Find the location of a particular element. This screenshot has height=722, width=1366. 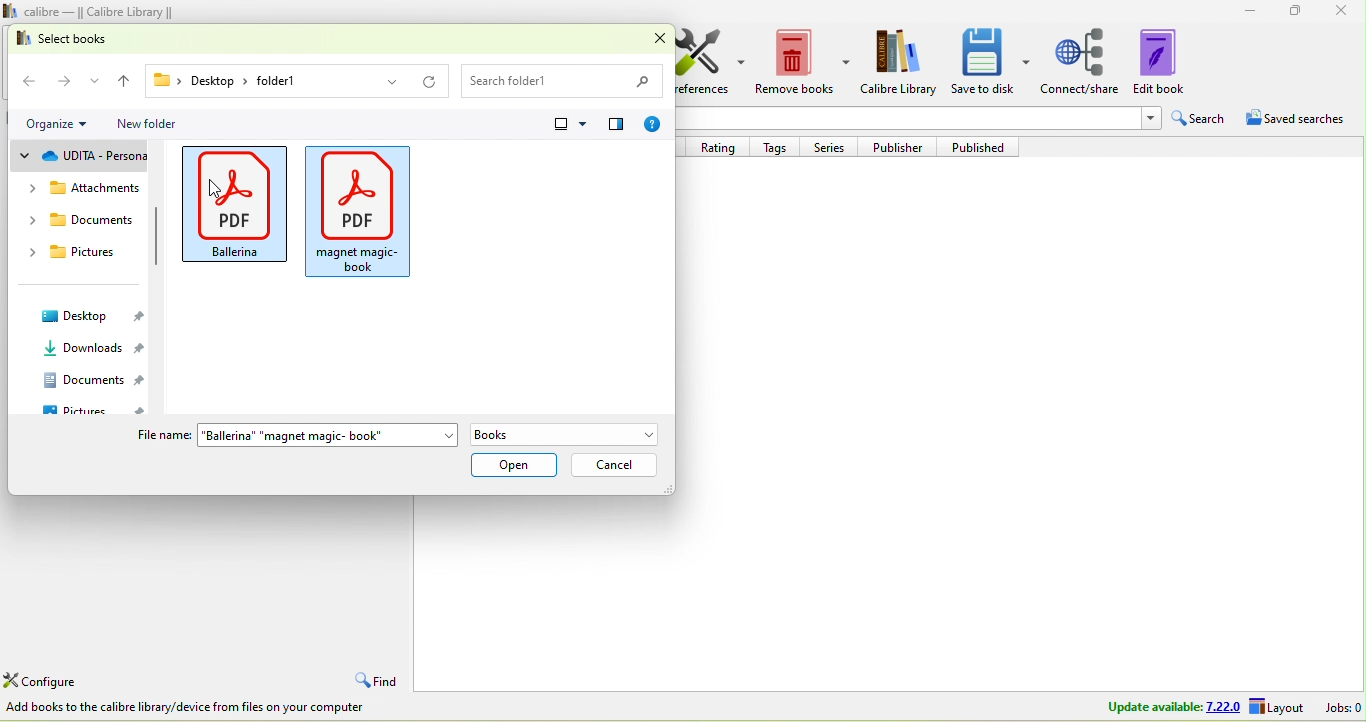

publisher is located at coordinates (904, 146).